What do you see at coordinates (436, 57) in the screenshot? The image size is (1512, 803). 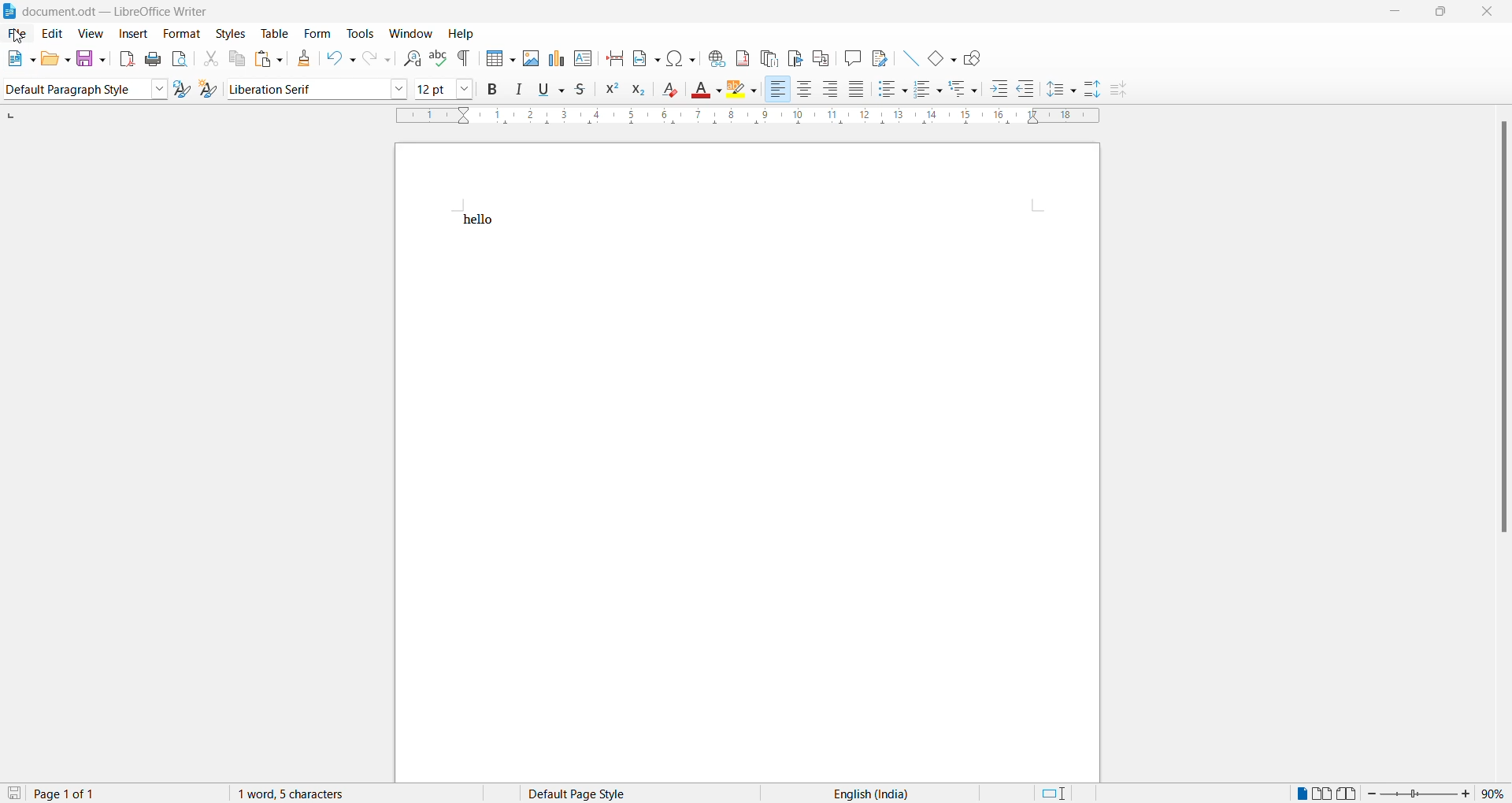 I see `Spellings` at bounding box center [436, 57].